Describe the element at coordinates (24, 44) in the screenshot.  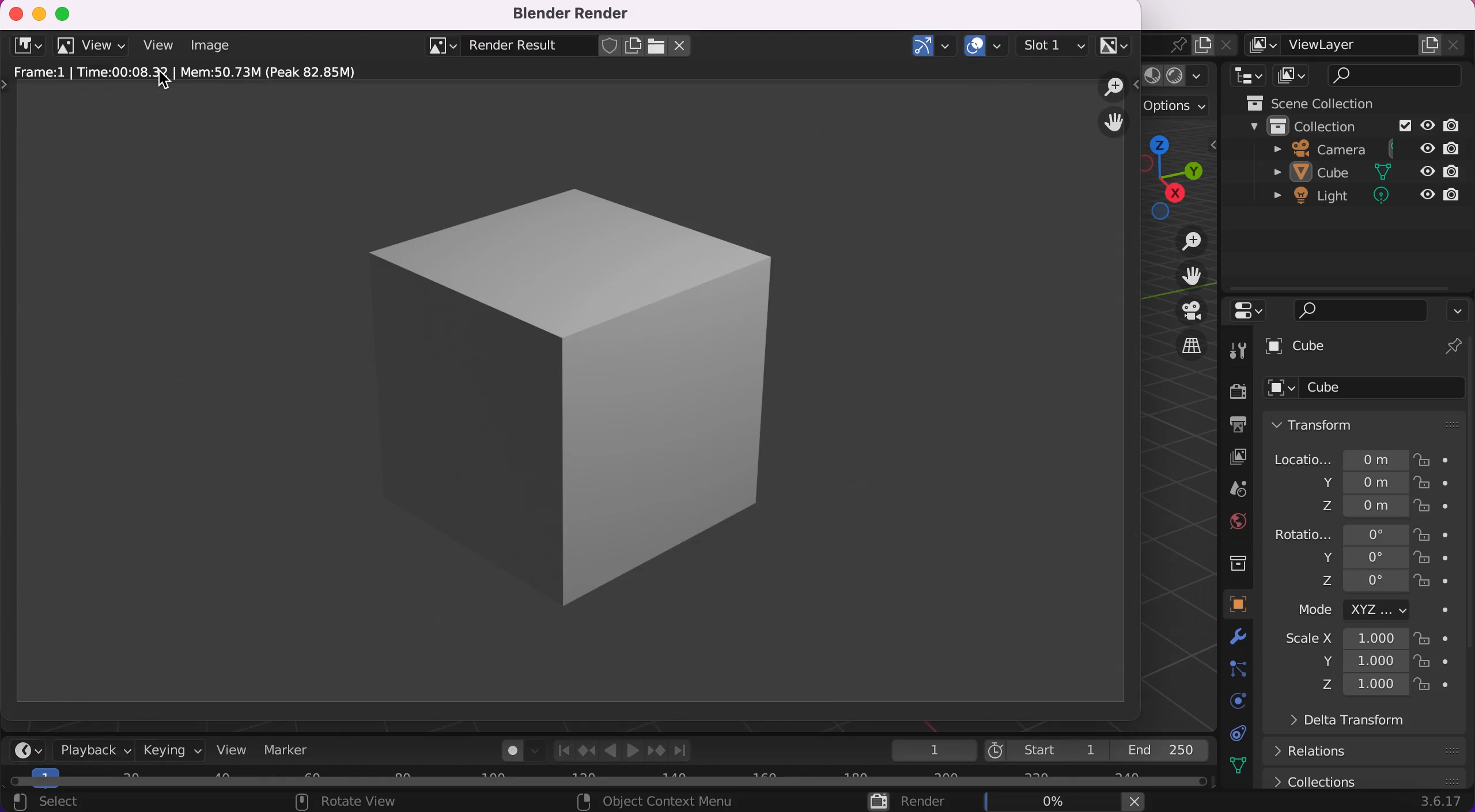
I see `editor type` at that location.